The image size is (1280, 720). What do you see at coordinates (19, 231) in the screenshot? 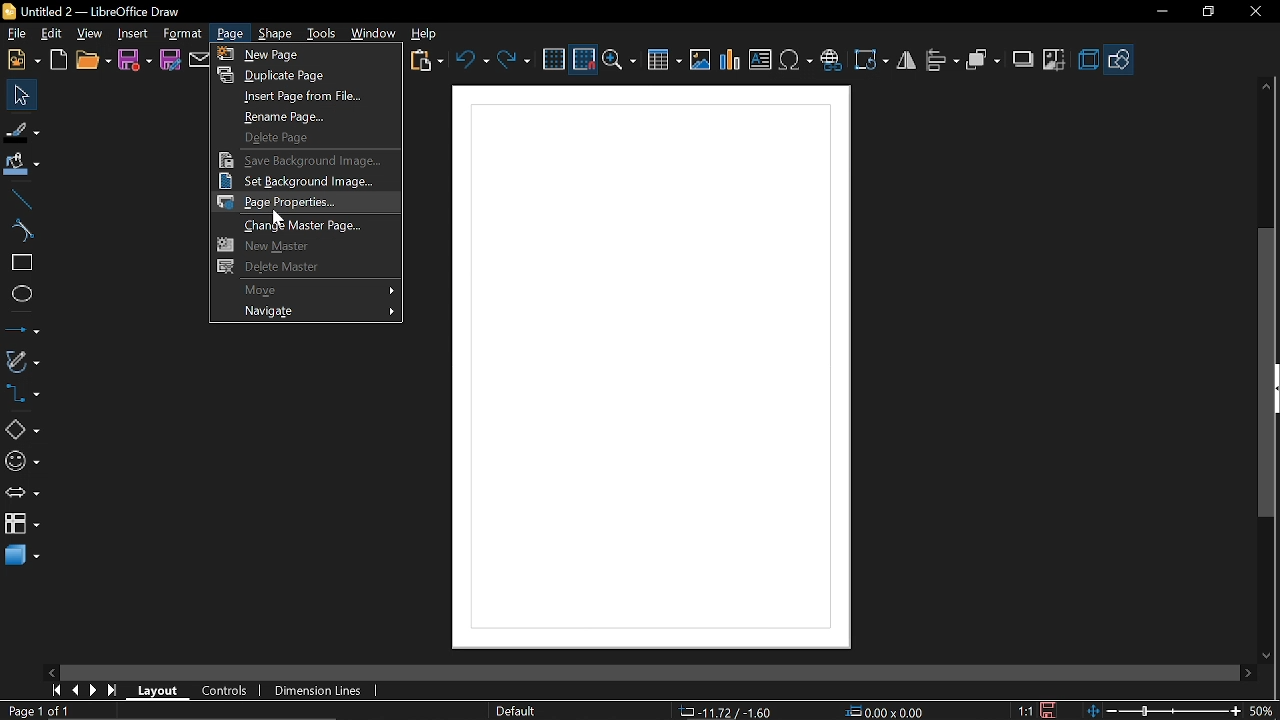
I see `Curve` at bounding box center [19, 231].